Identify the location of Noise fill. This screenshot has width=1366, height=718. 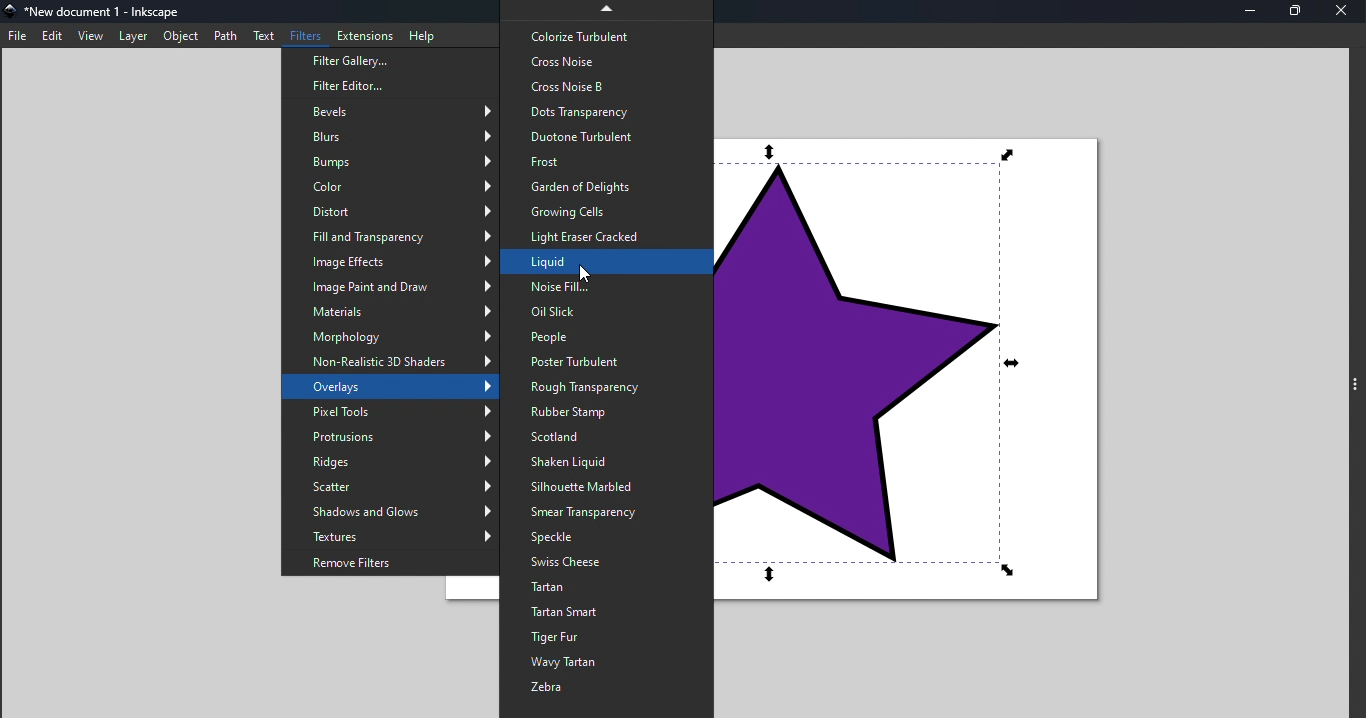
(607, 286).